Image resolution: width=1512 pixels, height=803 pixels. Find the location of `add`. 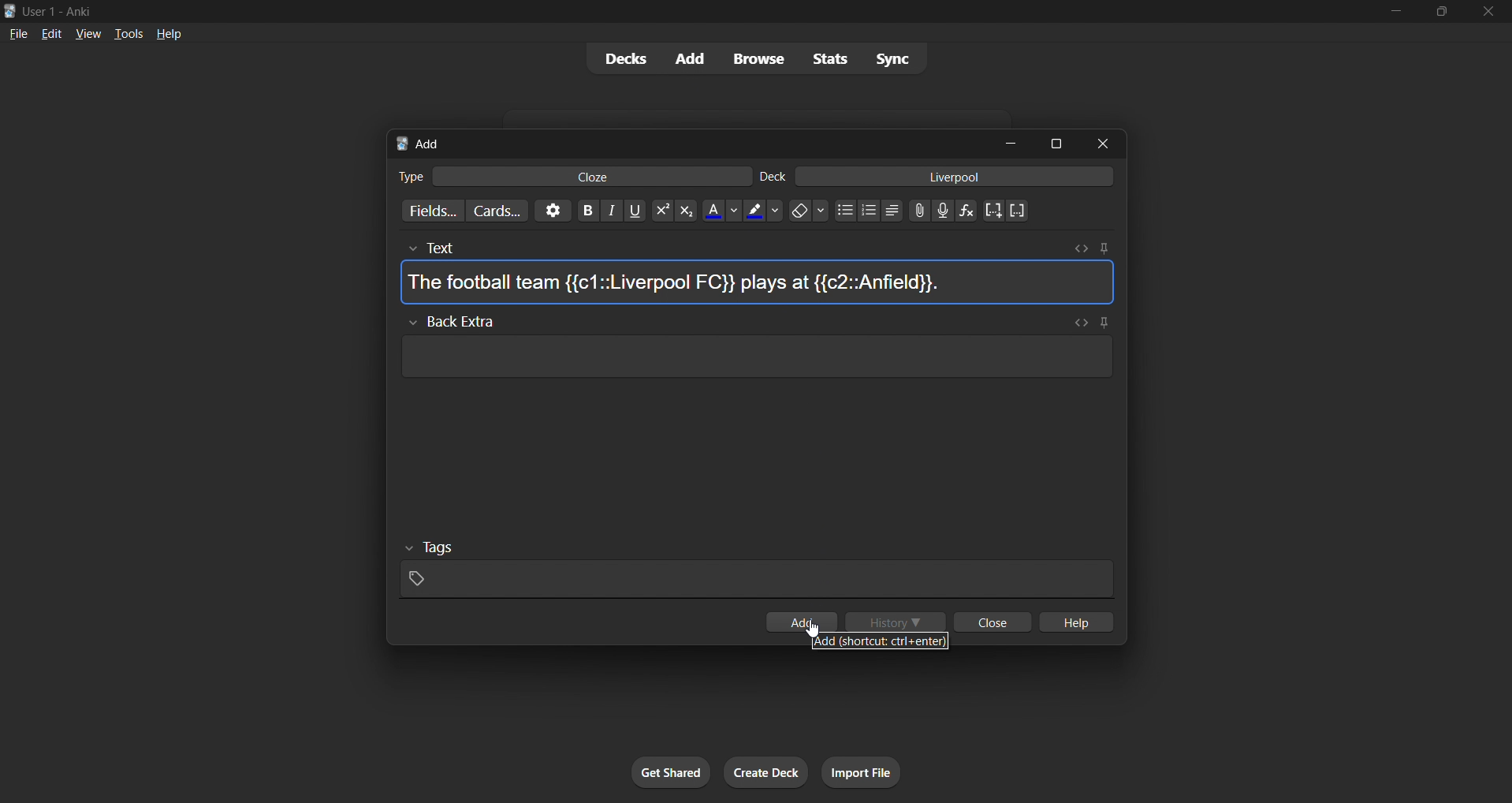

add is located at coordinates (810, 623).